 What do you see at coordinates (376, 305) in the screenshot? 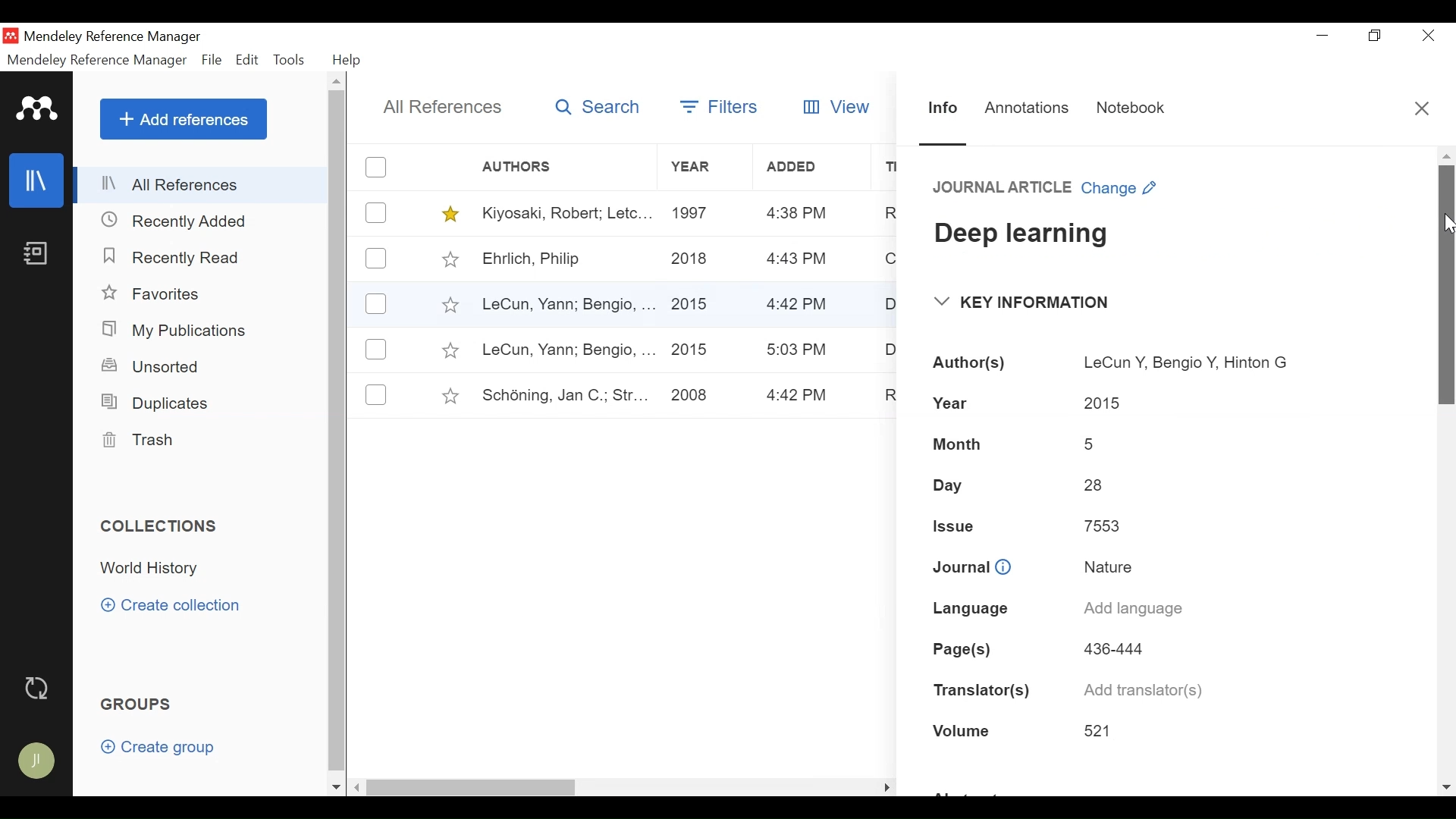
I see `(un)select` at bounding box center [376, 305].